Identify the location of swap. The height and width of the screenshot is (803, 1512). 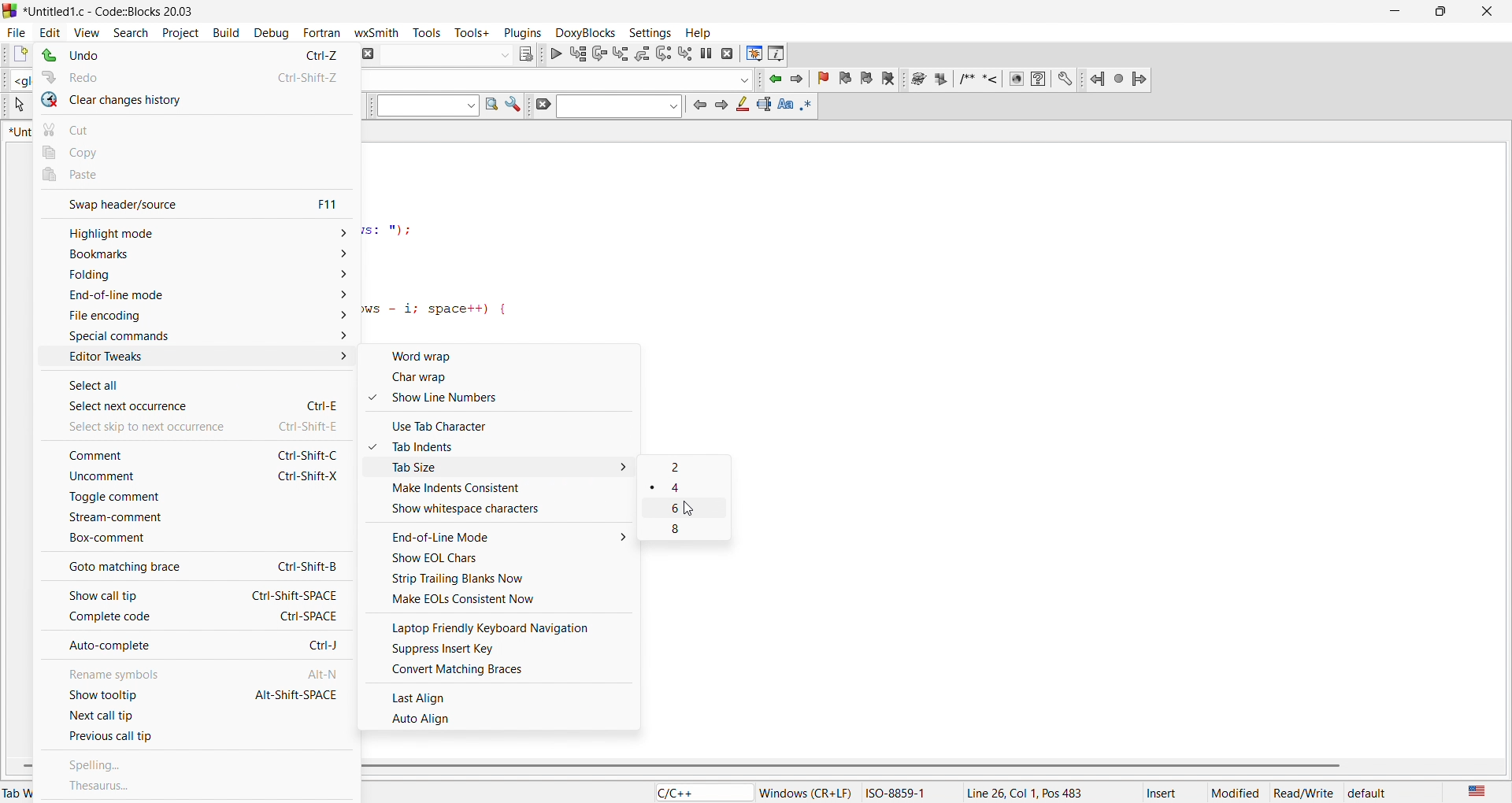
(140, 204).